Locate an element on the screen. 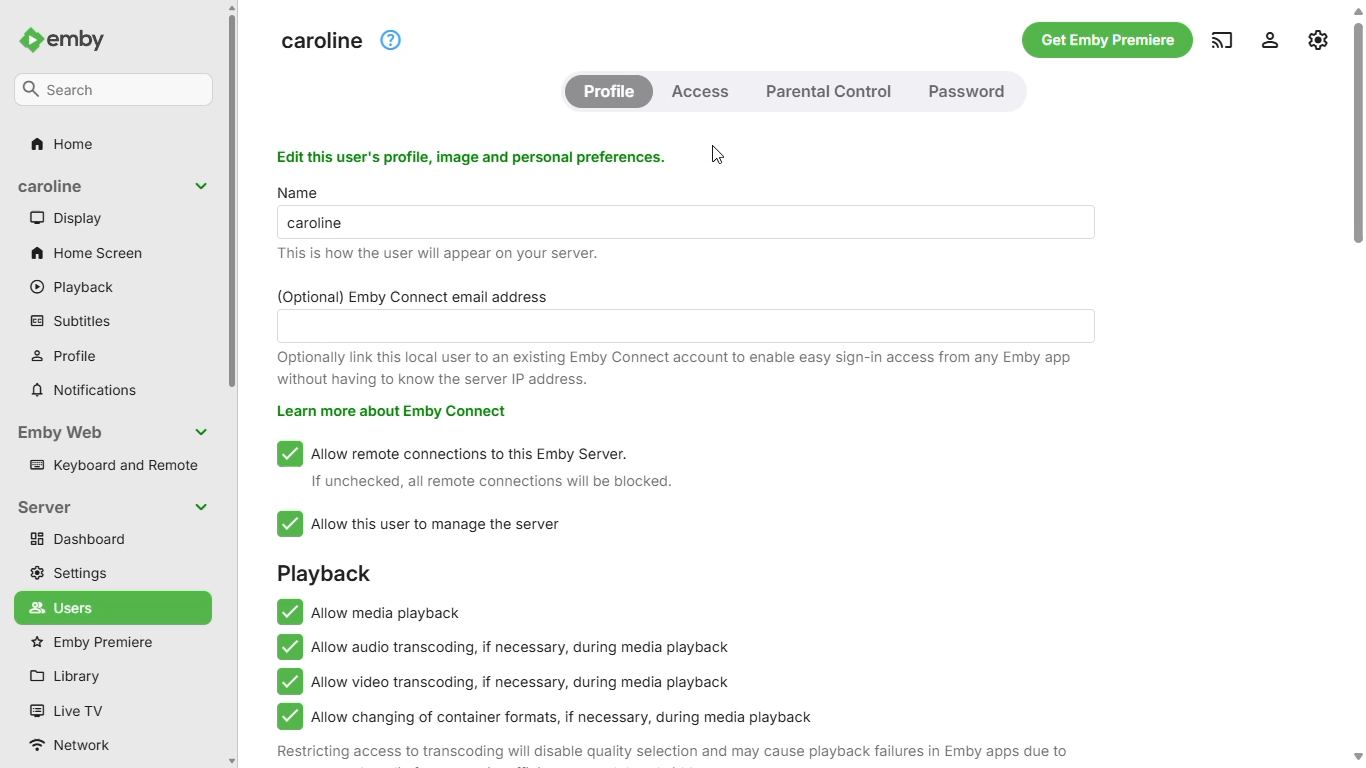 The width and height of the screenshot is (1366, 768). allow media playback is located at coordinates (368, 612).